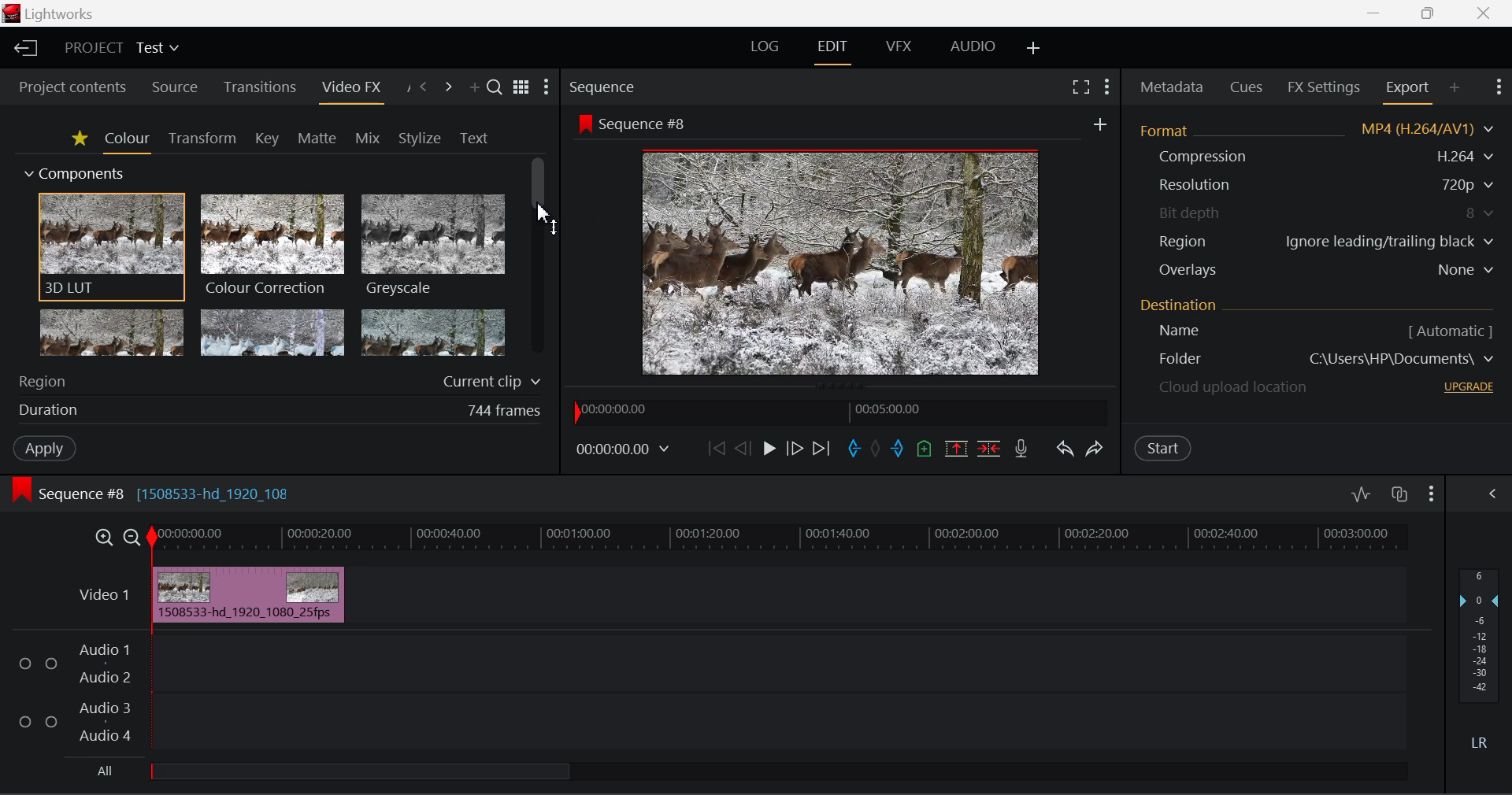 The height and width of the screenshot is (795, 1512). What do you see at coordinates (1079, 90) in the screenshot?
I see `Full Screen` at bounding box center [1079, 90].